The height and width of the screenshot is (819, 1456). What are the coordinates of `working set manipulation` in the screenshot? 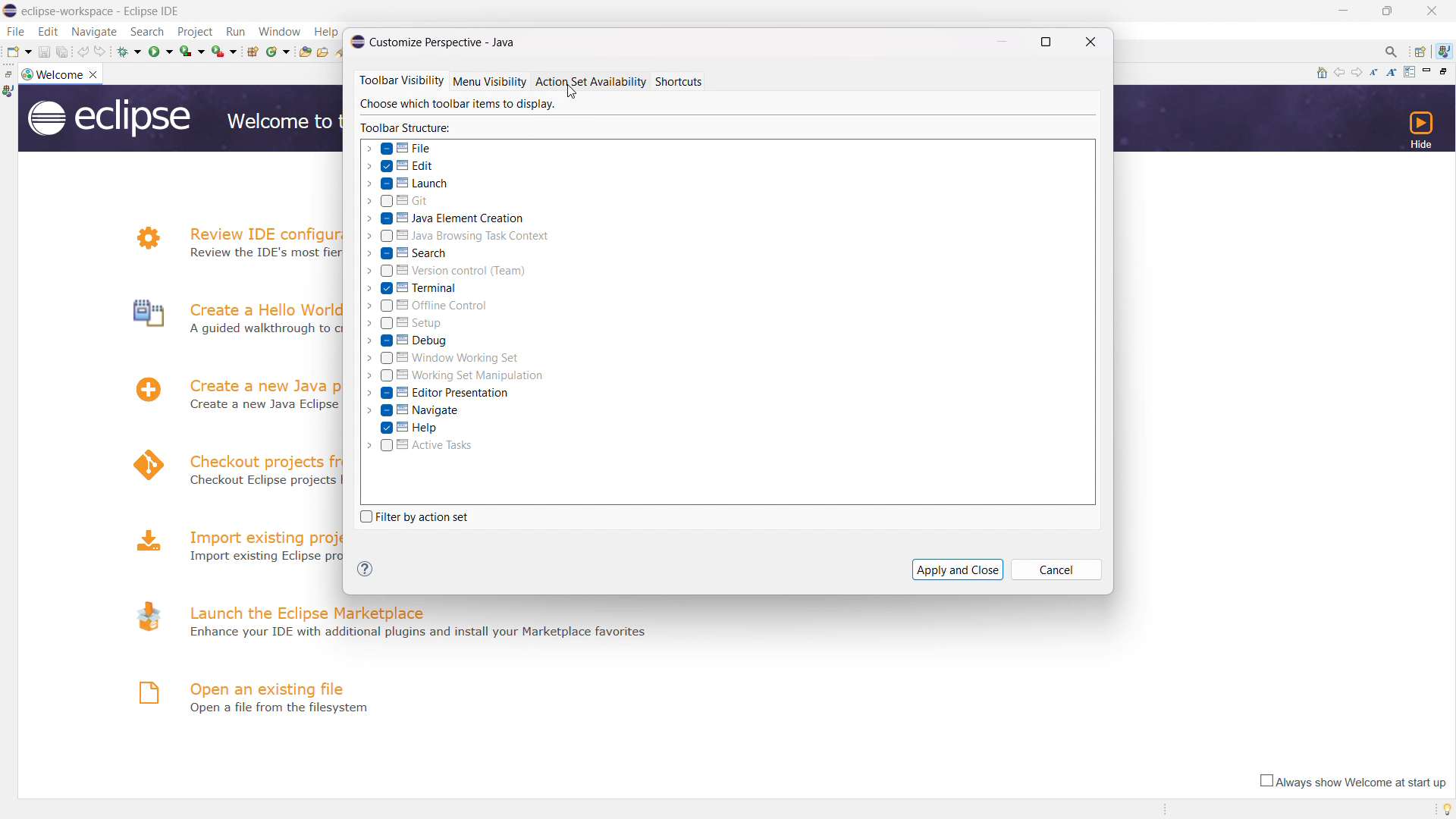 It's located at (454, 376).